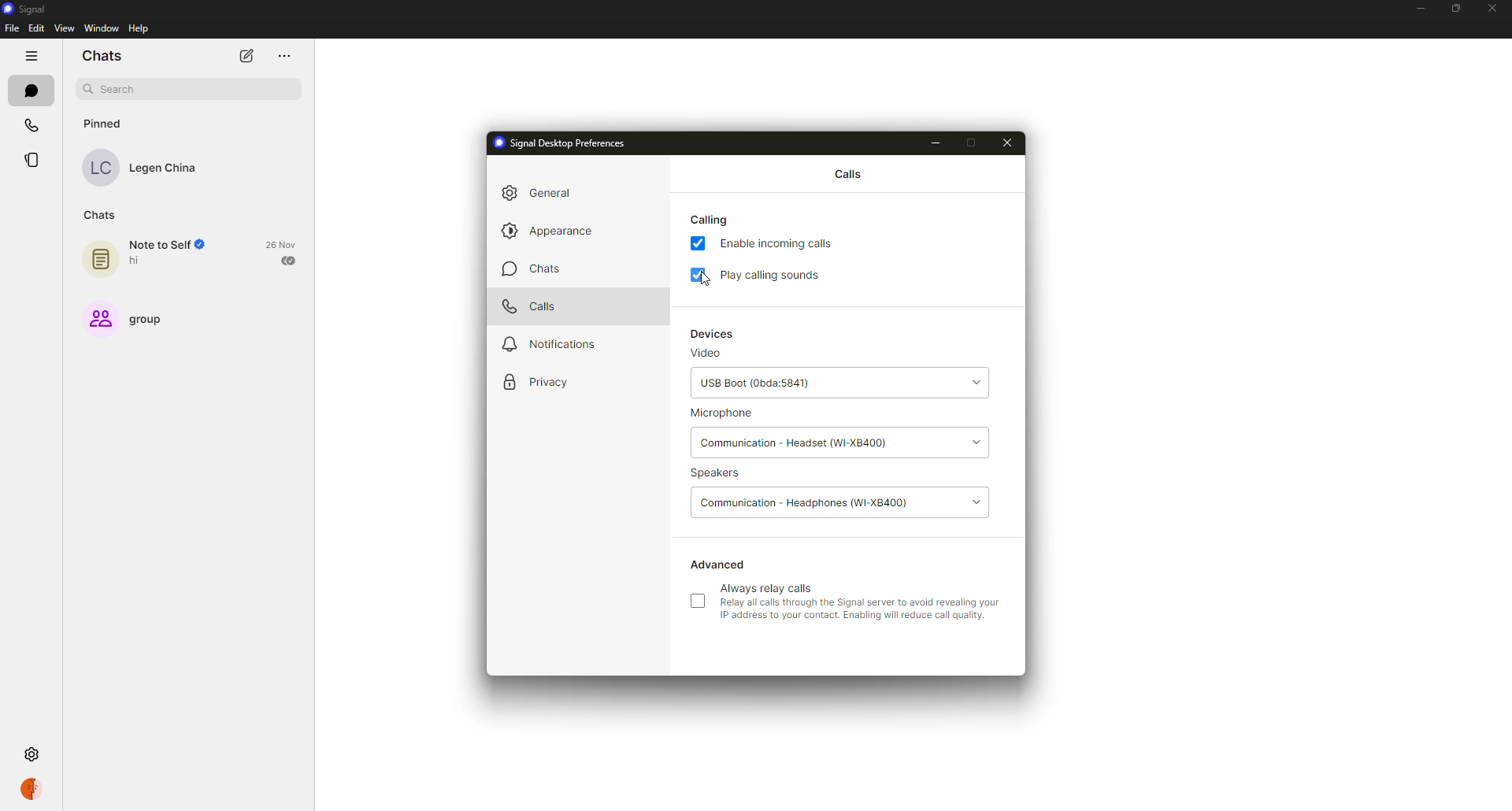  I want to click on calls, so click(851, 174).